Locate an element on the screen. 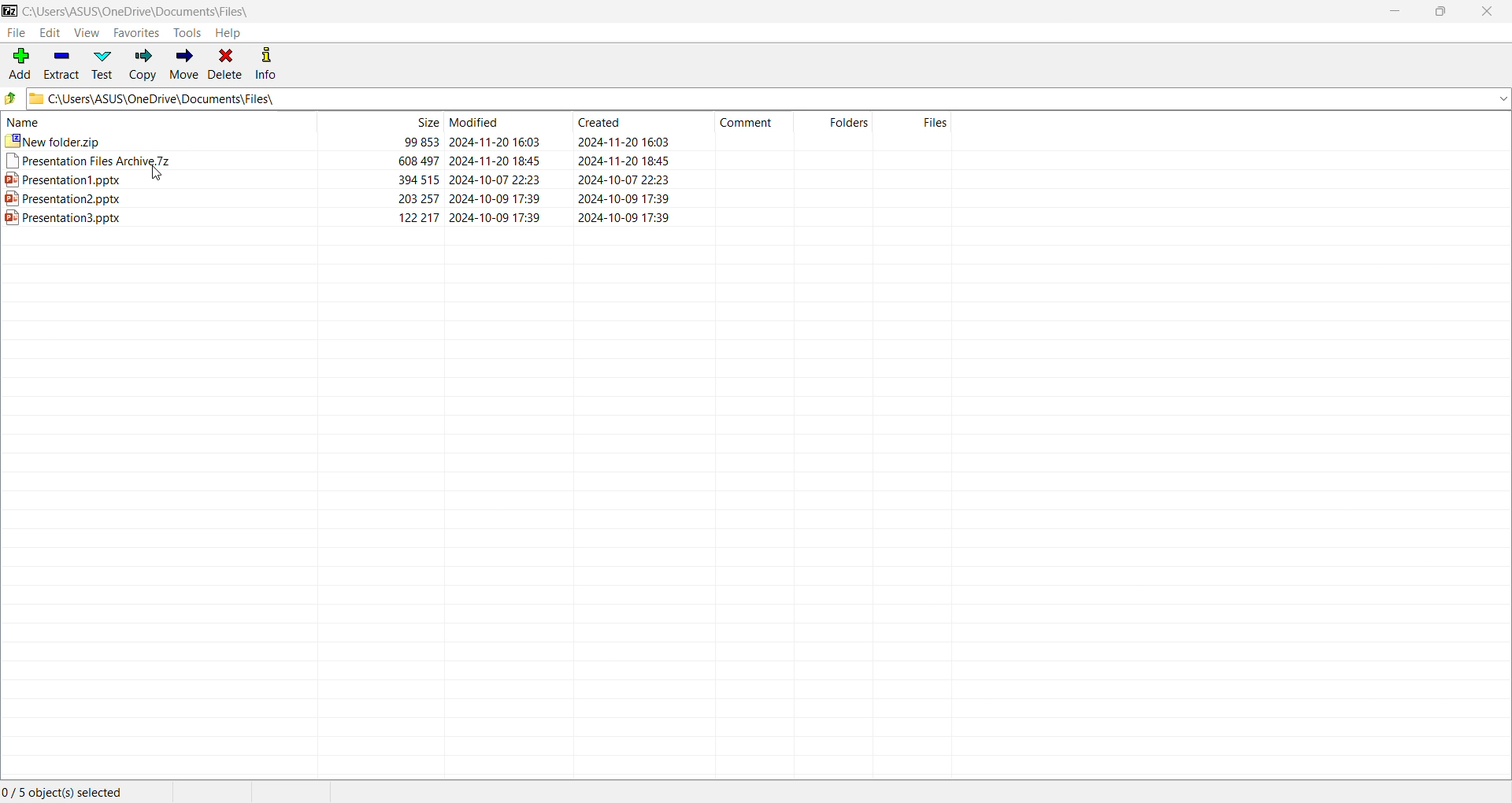  Application Logo is located at coordinates (9, 9).